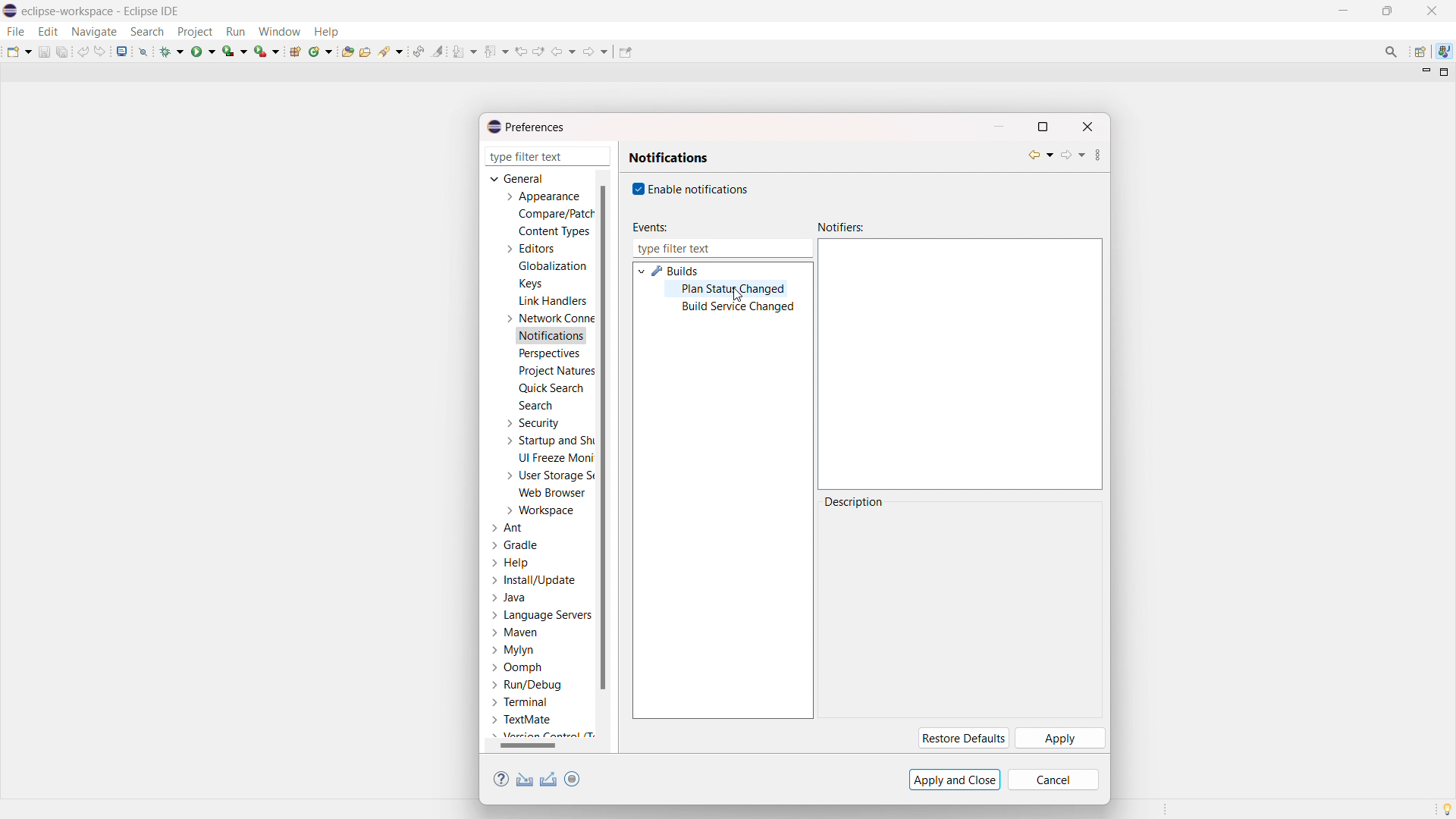 Image resolution: width=1456 pixels, height=819 pixels. I want to click on network connections, so click(548, 318).